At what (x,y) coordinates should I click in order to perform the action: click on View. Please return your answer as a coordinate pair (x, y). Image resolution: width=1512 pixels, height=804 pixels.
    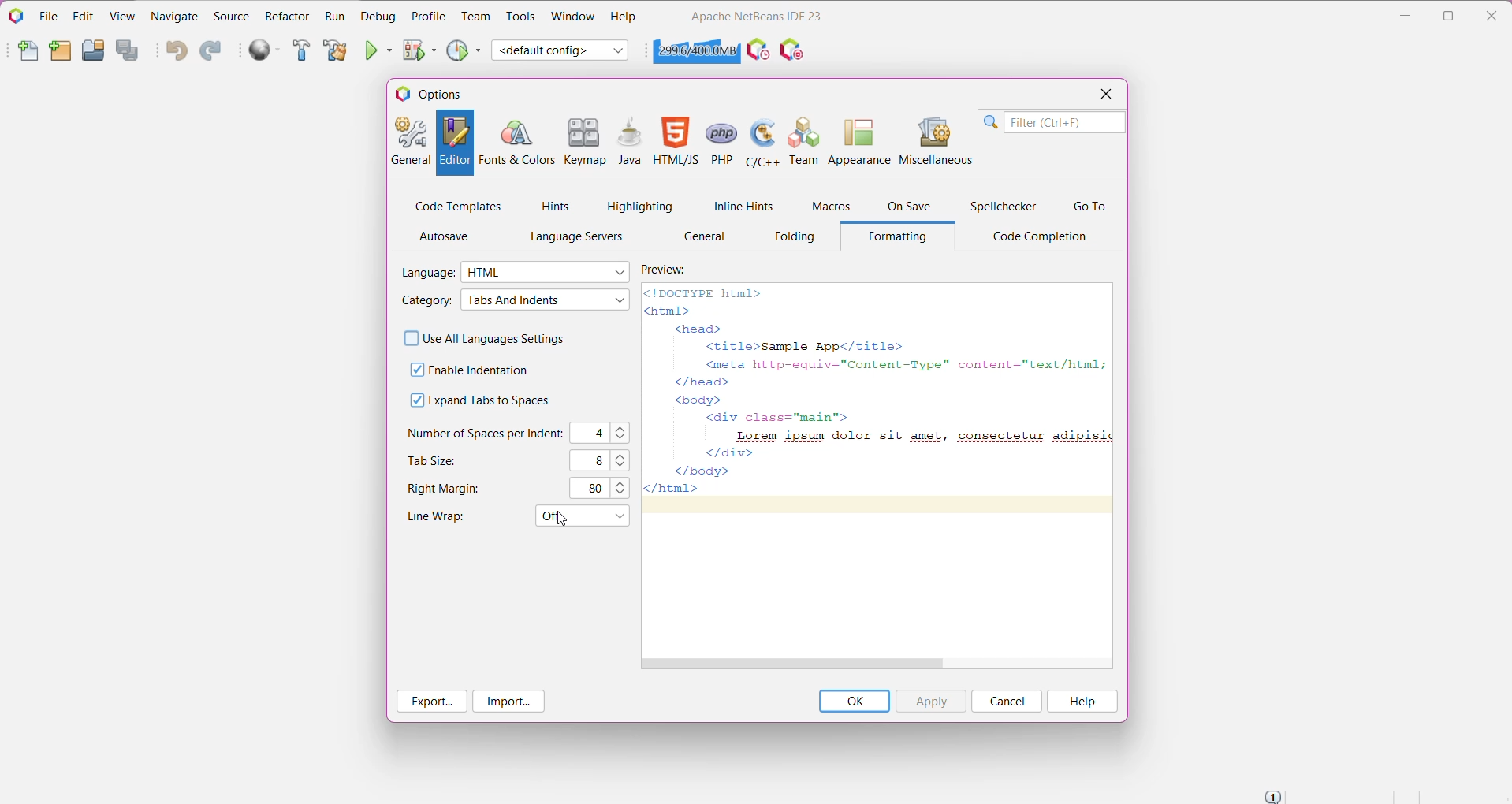
    Looking at the image, I should click on (124, 15).